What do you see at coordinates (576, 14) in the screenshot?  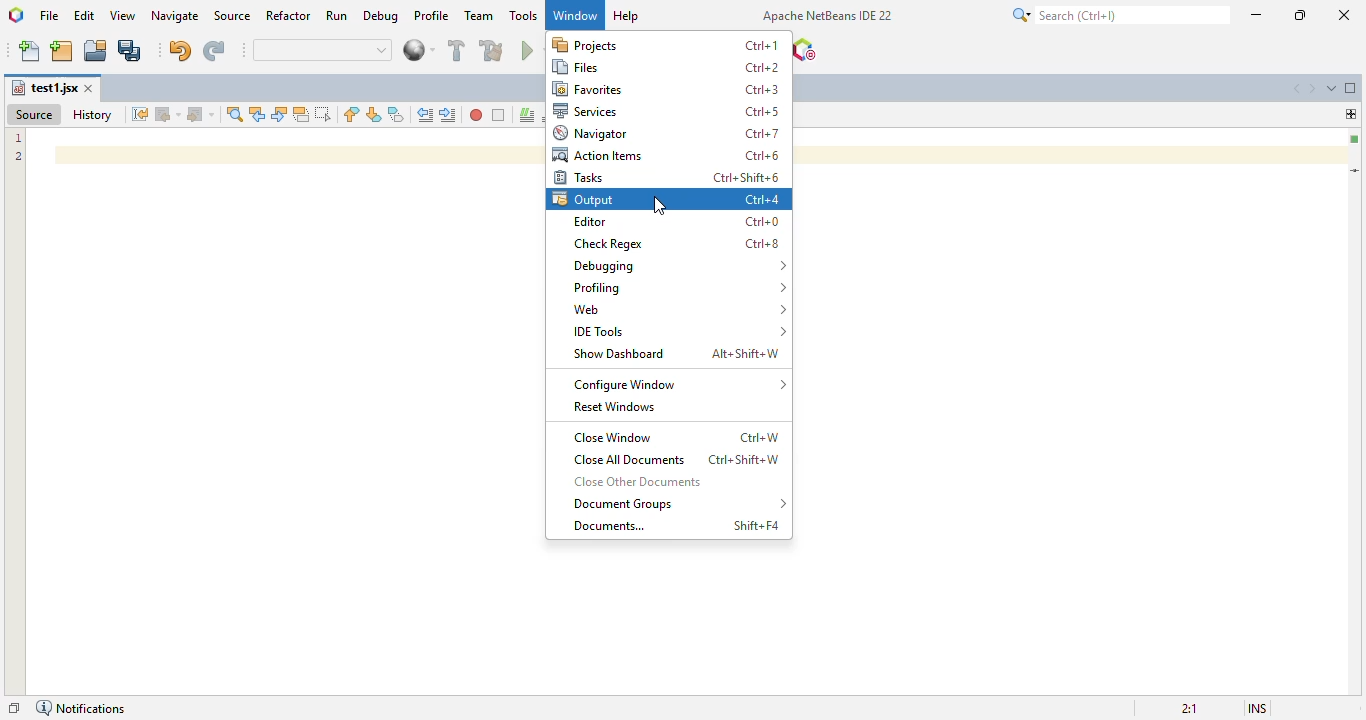 I see `window` at bounding box center [576, 14].